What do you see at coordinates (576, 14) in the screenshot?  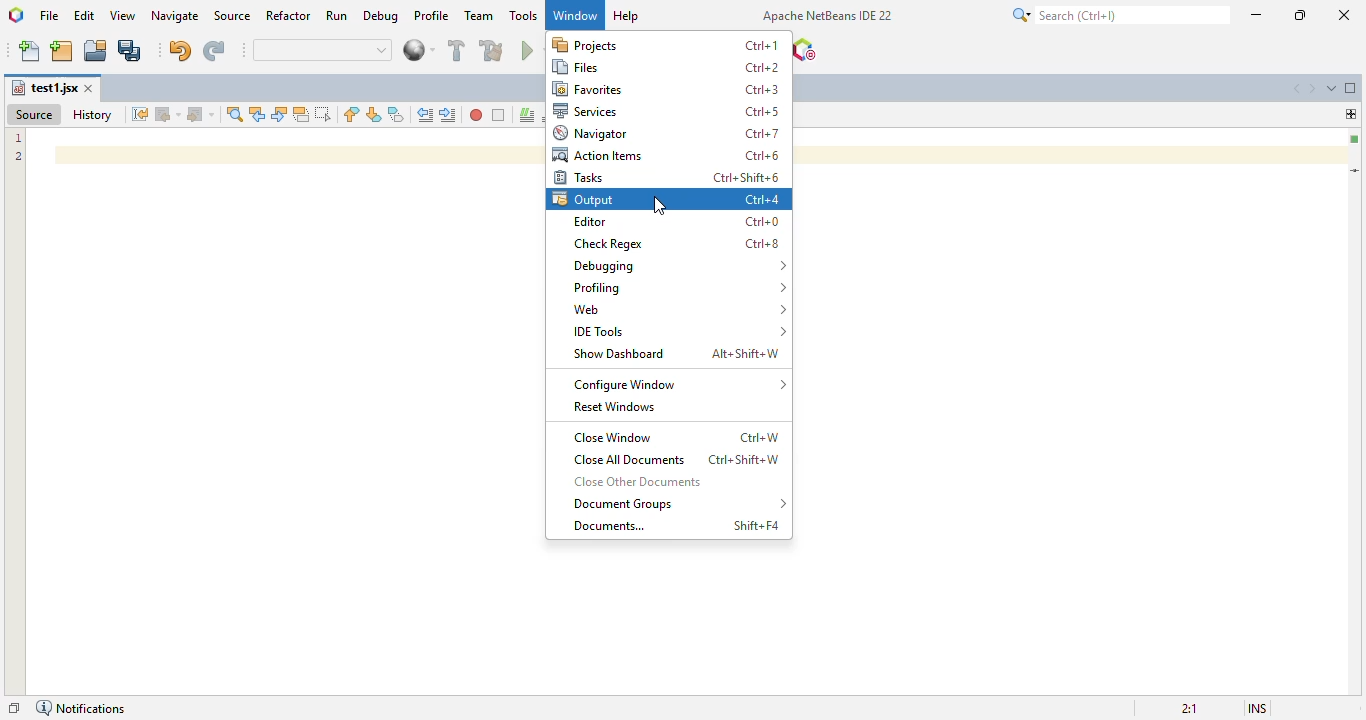 I see `window` at bounding box center [576, 14].